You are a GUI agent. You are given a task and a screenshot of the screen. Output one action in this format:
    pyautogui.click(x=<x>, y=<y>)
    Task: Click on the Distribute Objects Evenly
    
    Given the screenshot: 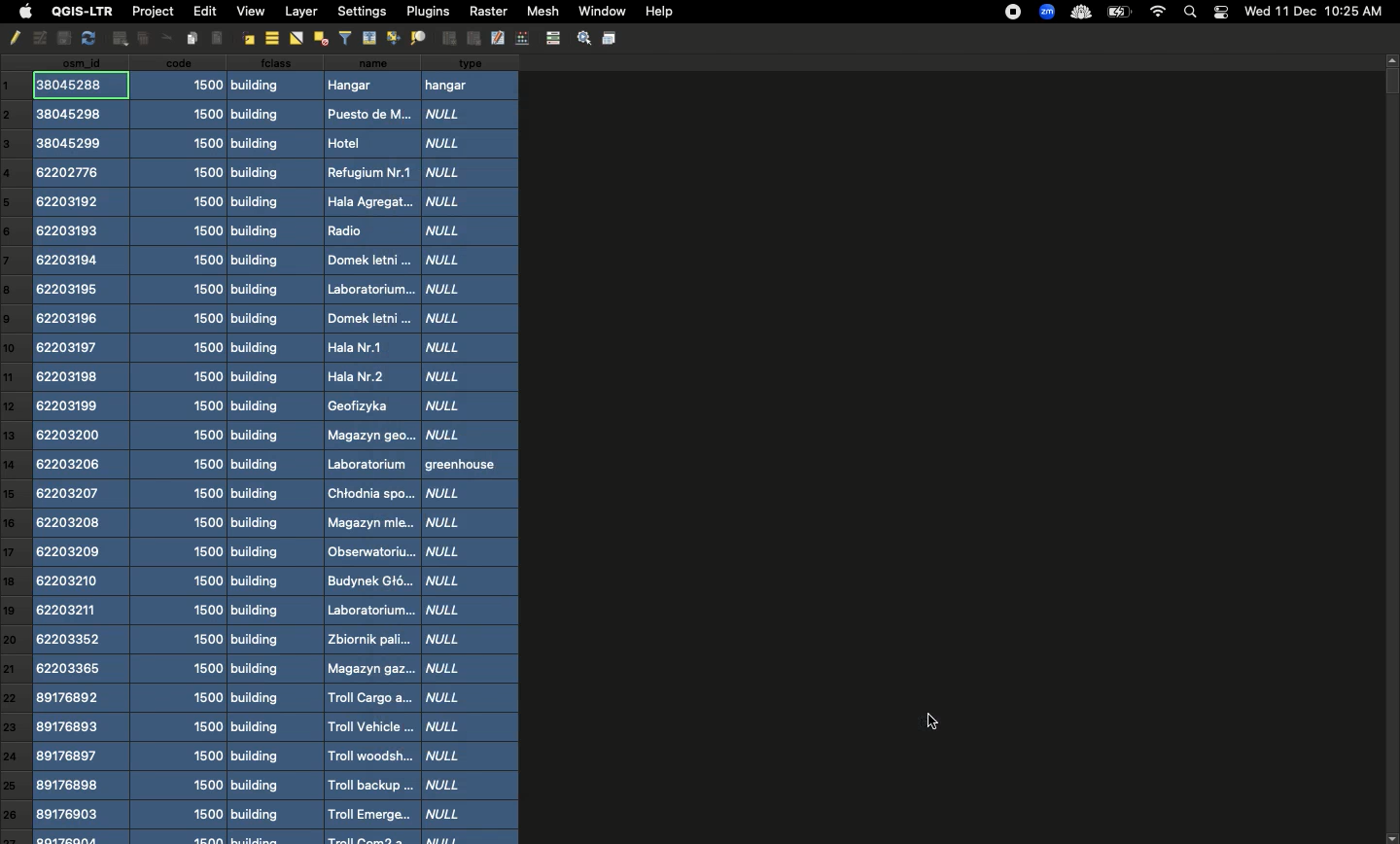 What is the action you would take?
    pyautogui.click(x=416, y=38)
    